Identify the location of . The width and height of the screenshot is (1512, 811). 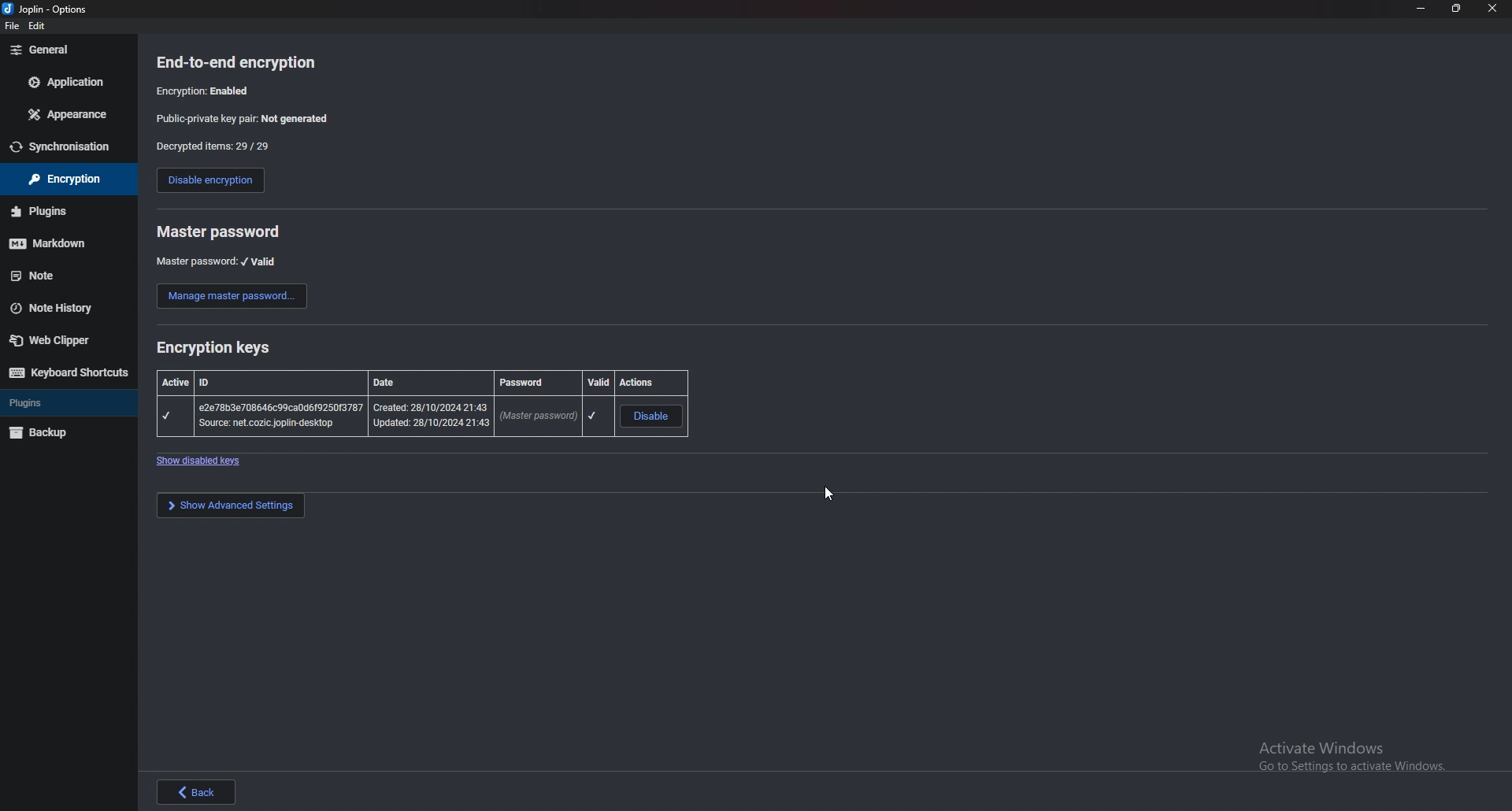
(46, 246).